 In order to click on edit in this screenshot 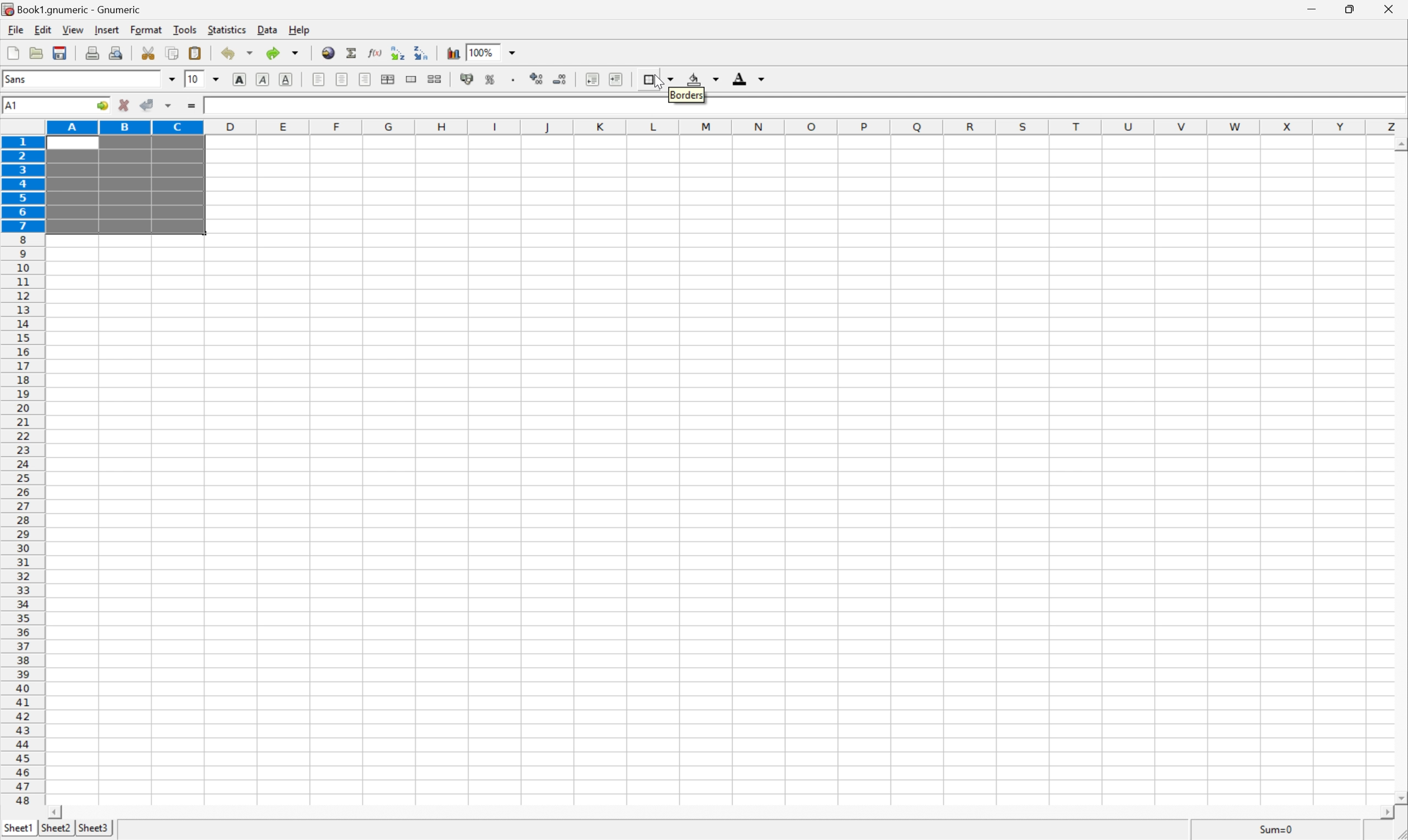, I will do `click(41, 29)`.